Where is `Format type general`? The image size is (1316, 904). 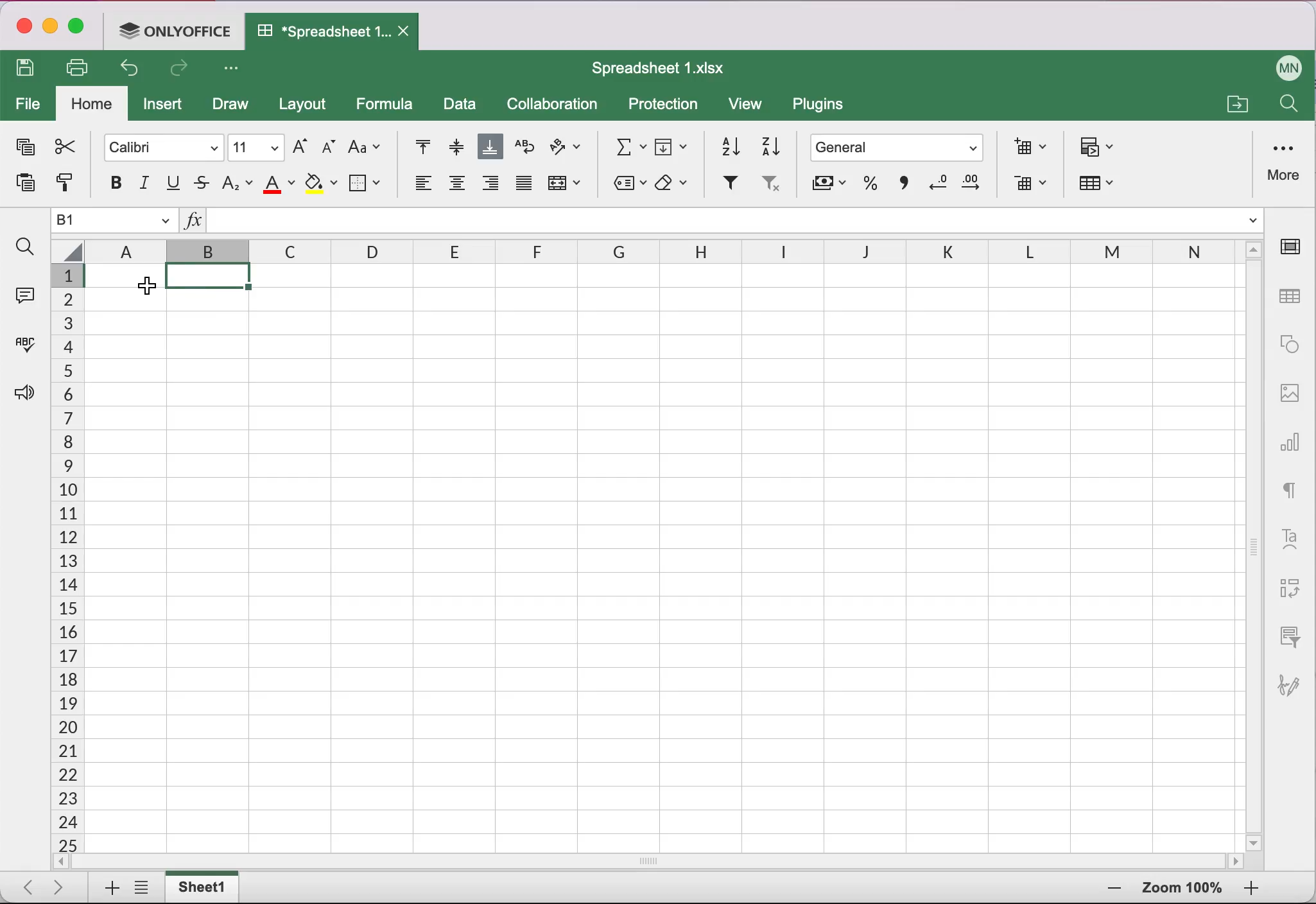
Format type general is located at coordinates (900, 150).